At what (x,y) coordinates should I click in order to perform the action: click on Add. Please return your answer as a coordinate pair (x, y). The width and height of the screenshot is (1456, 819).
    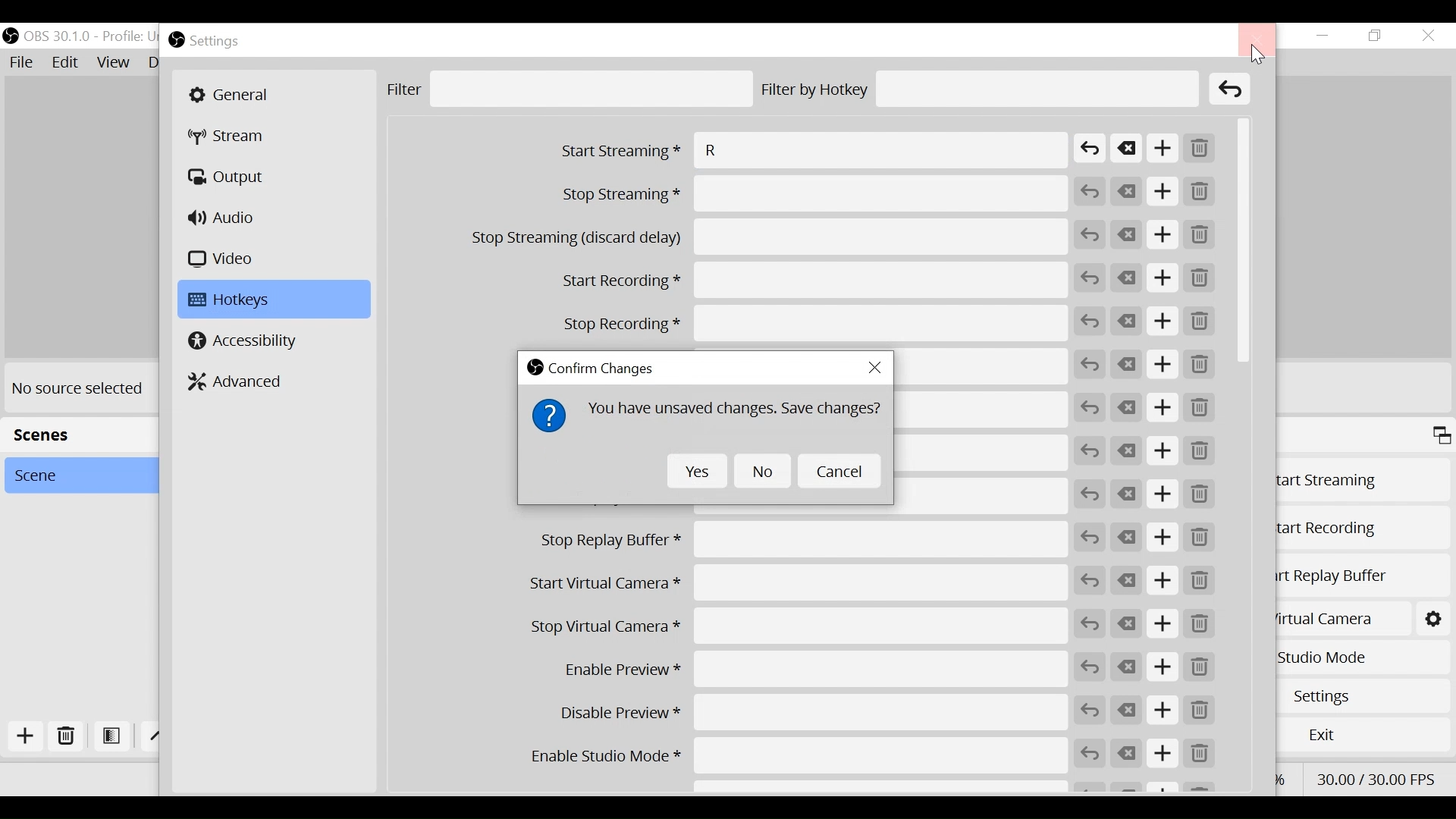
    Looking at the image, I should click on (1163, 407).